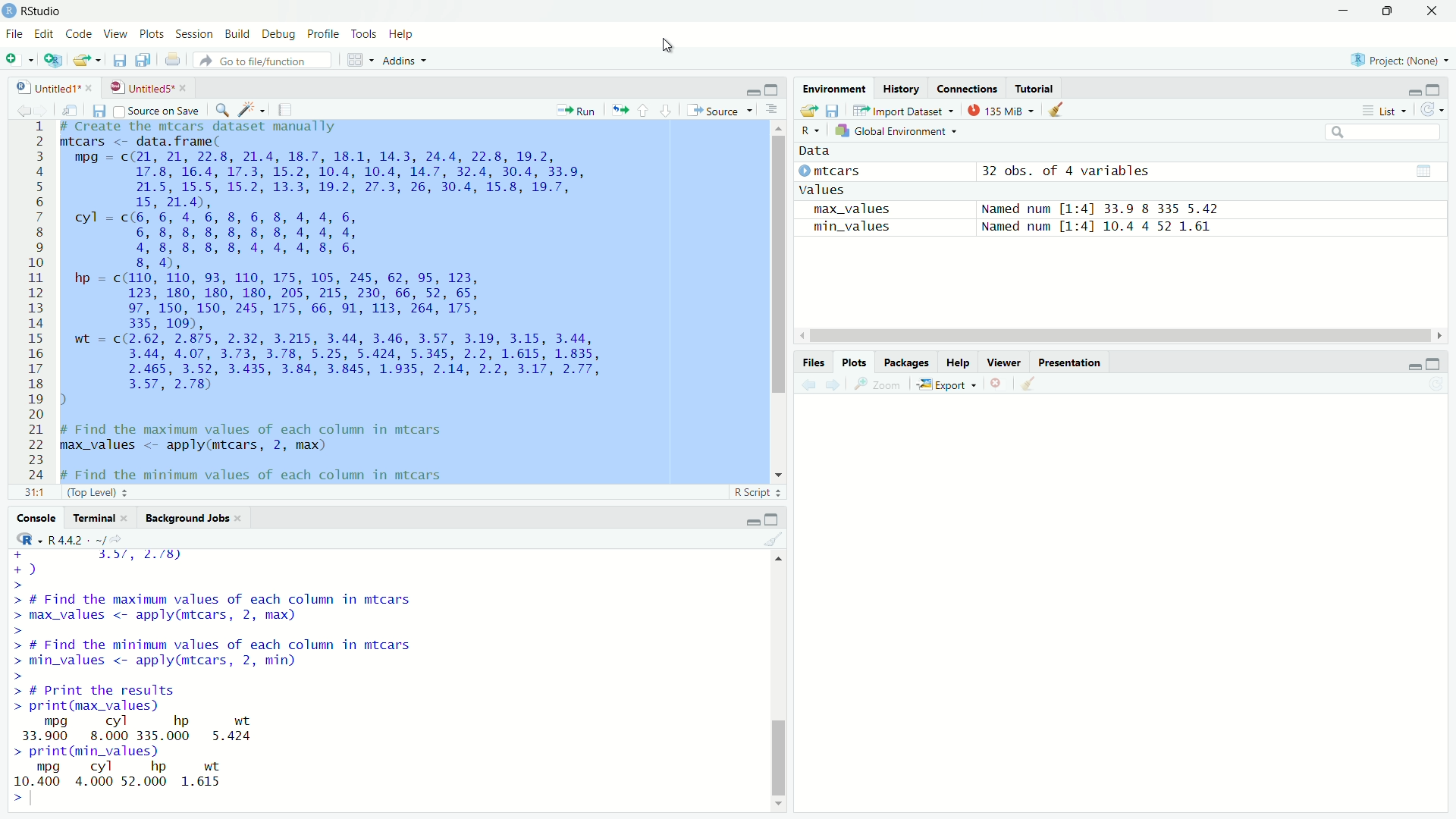 This screenshot has height=819, width=1456. I want to click on + Source ~, so click(718, 110).